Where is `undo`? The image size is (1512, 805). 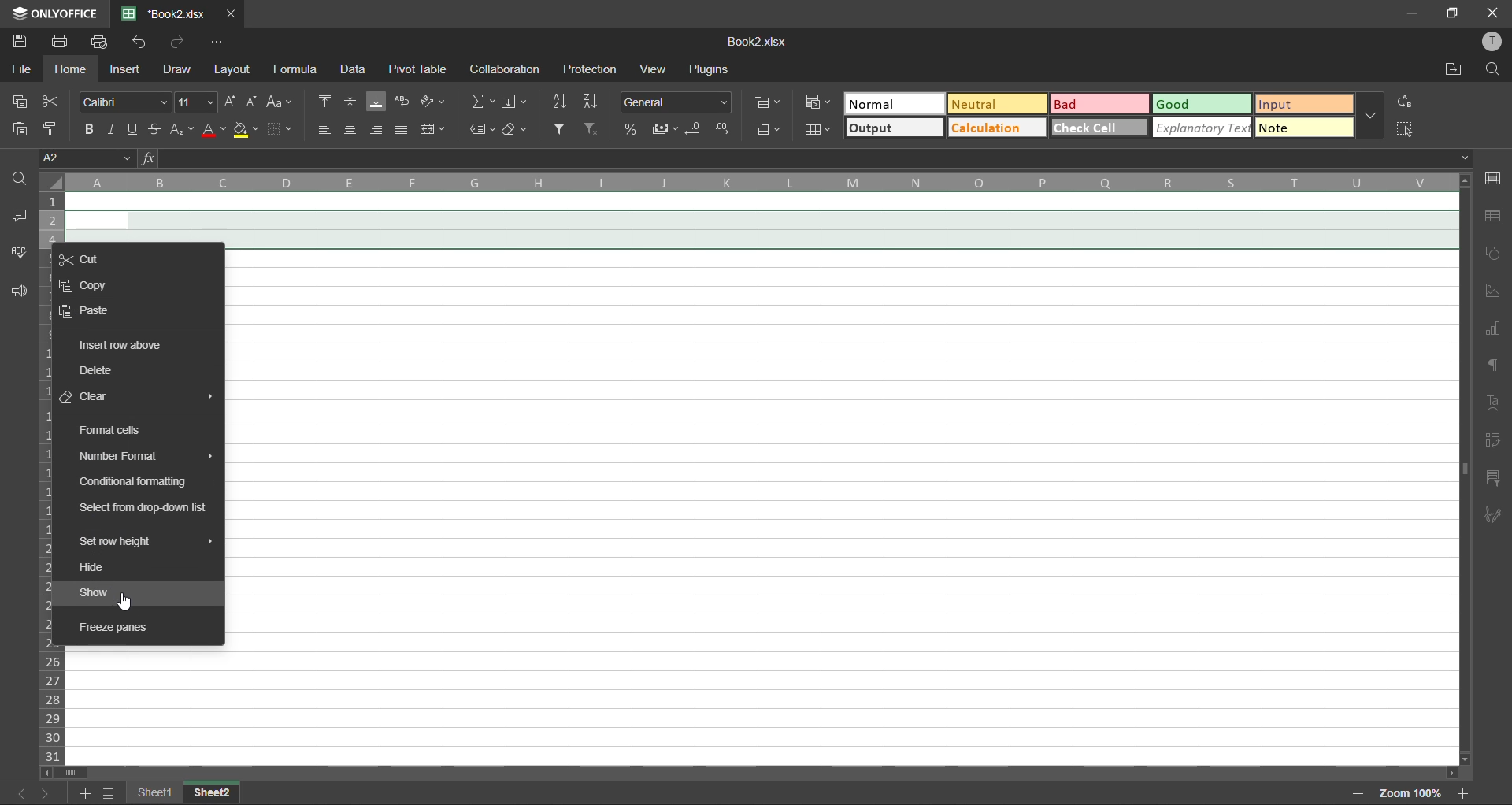
undo is located at coordinates (139, 43).